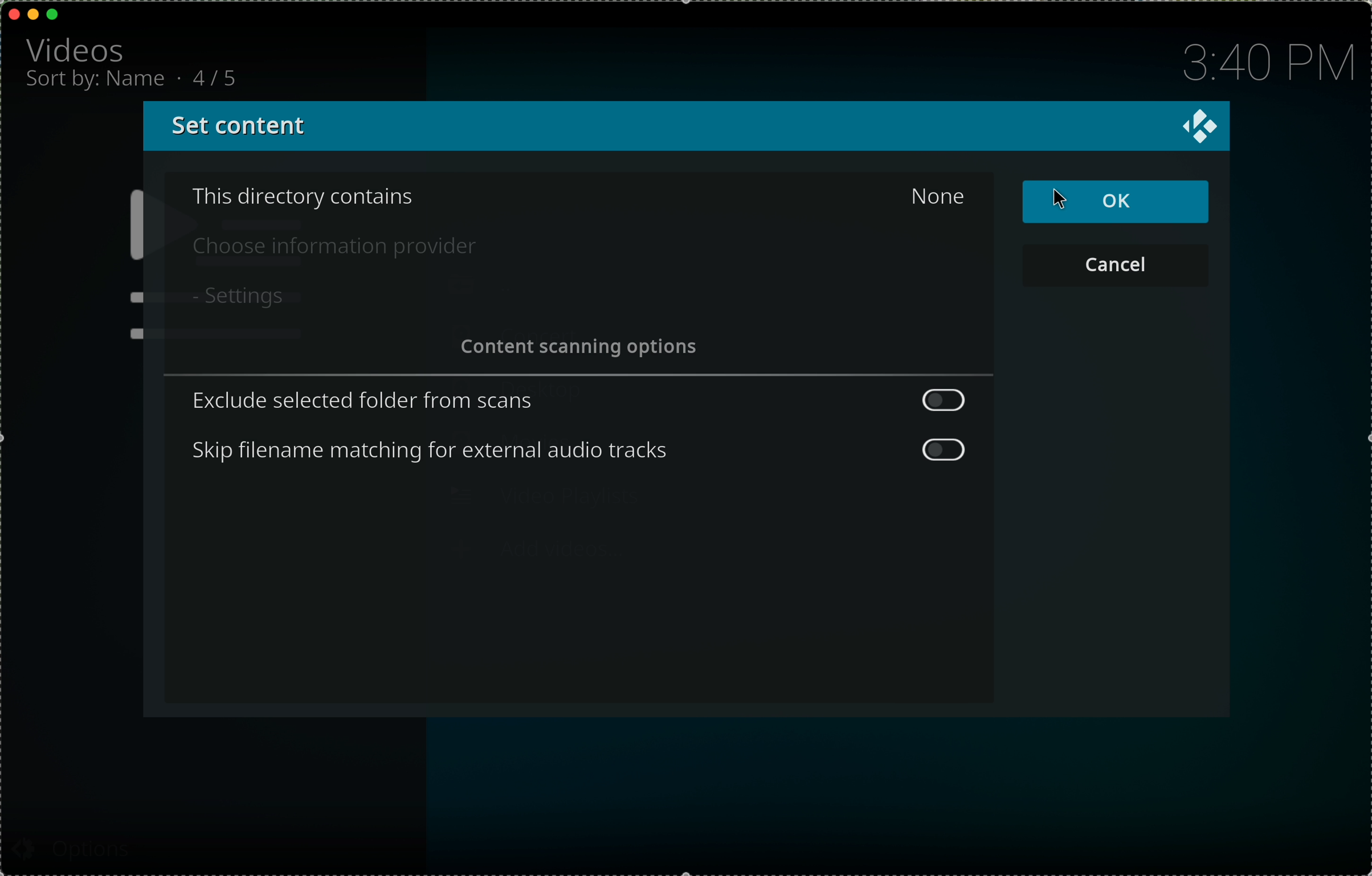 This screenshot has width=1372, height=876. Describe the element at coordinates (304, 197) in the screenshot. I see `this directory contains` at that location.